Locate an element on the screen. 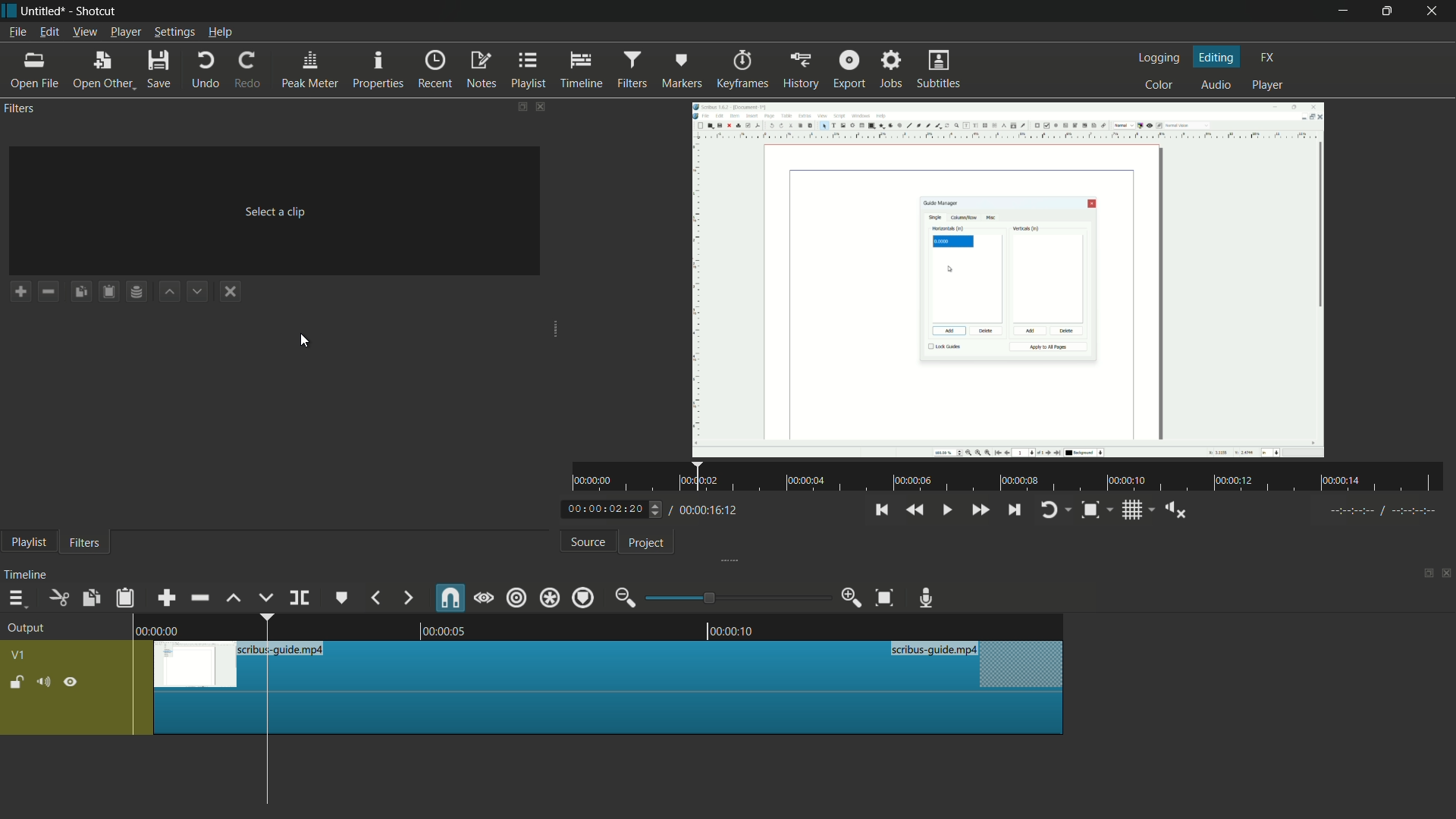  paste is located at coordinates (124, 600).